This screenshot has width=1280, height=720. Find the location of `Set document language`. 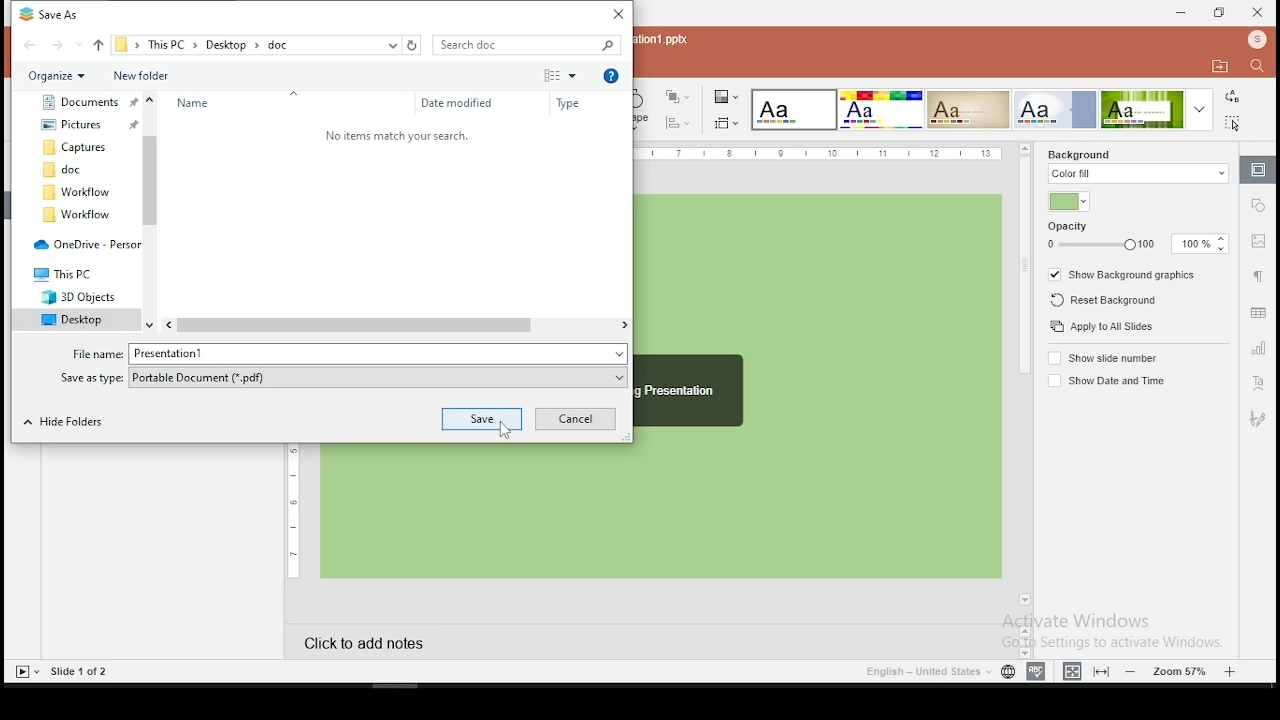

Set document language is located at coordinates (1008, 672).